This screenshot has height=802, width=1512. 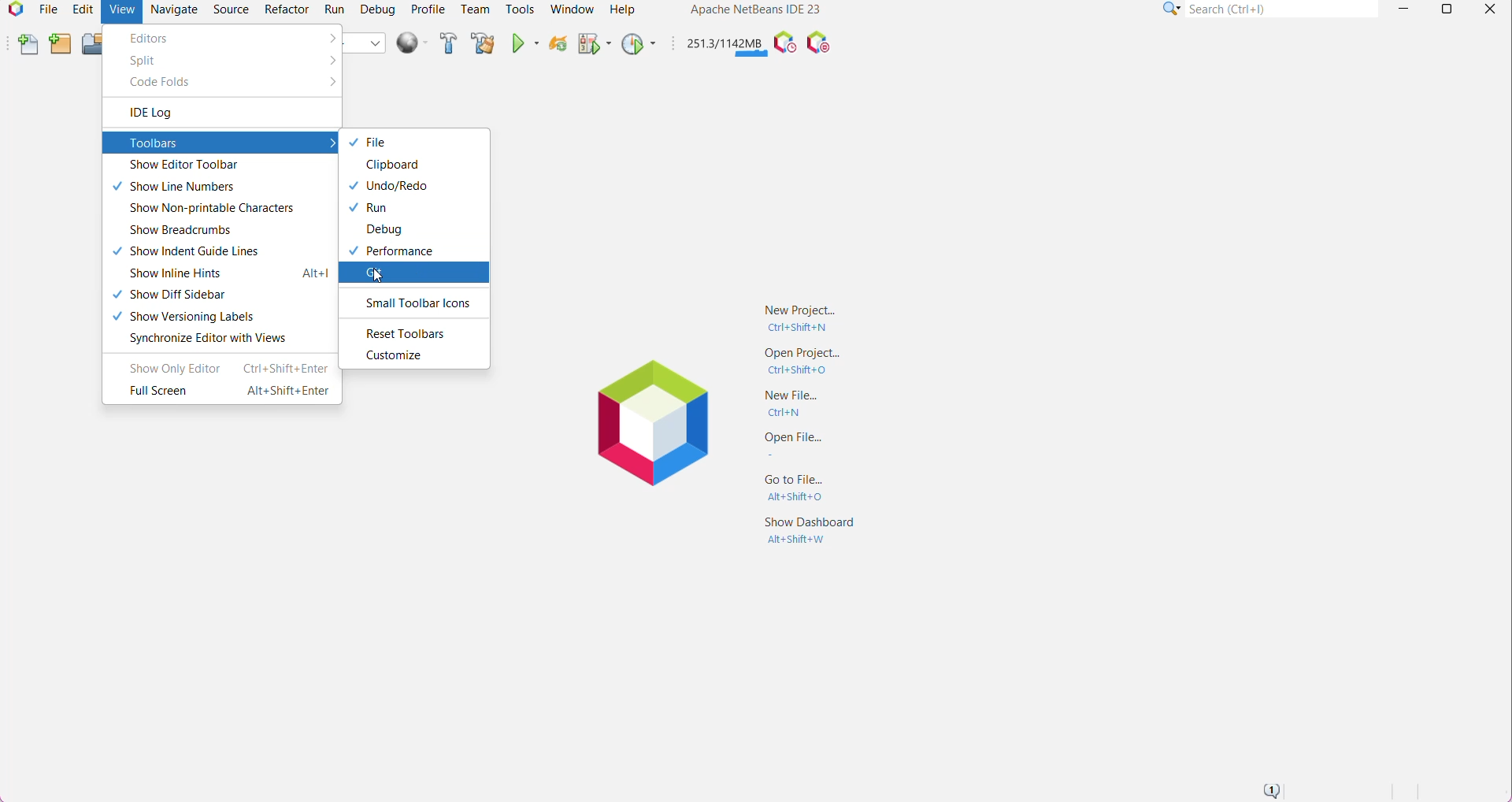 What do you see at coordinates (624, 9) in the screenshot?
I see `Help` at bounding box center [624, 9].